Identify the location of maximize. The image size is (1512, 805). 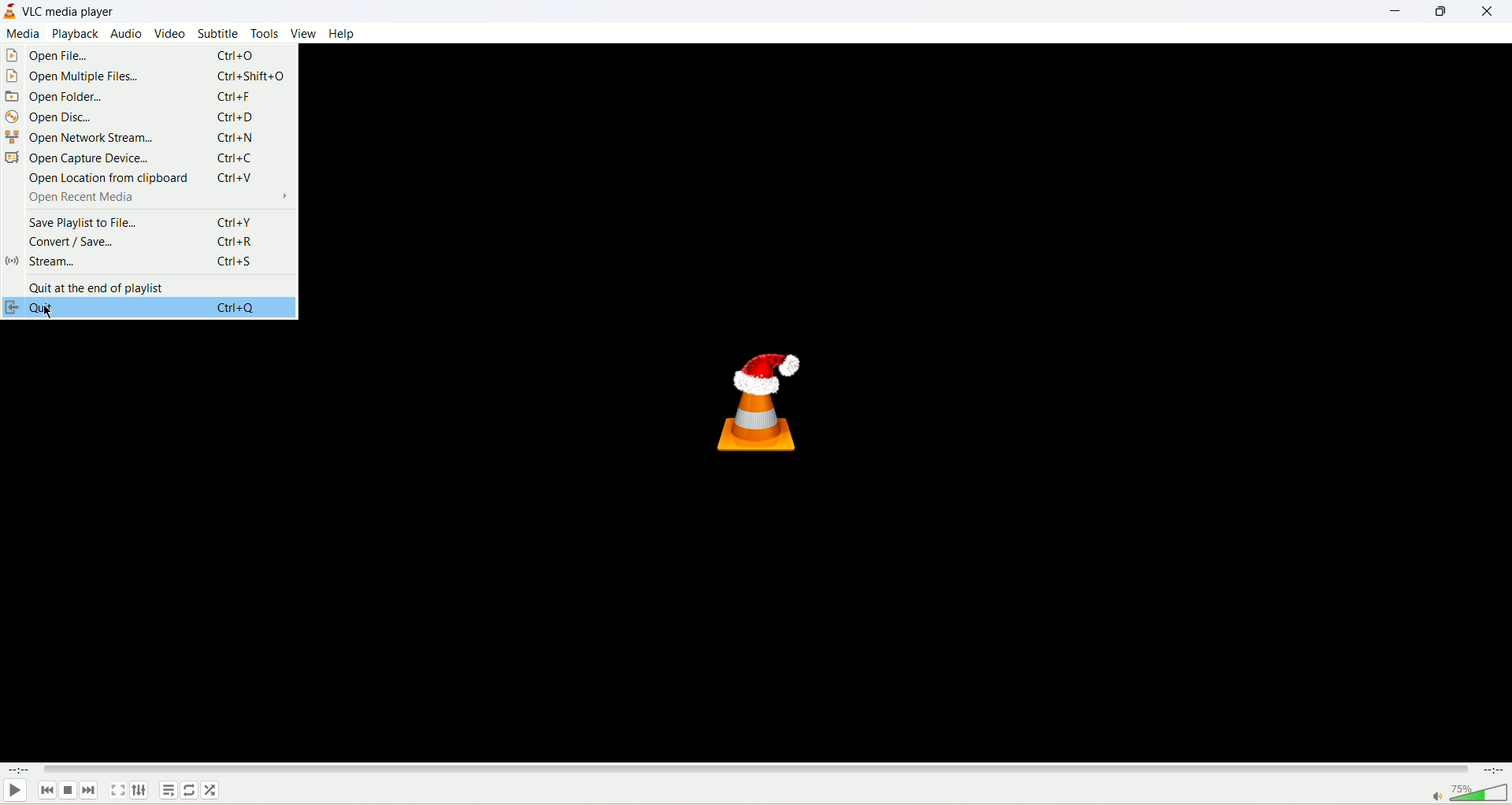
(1440, 12).